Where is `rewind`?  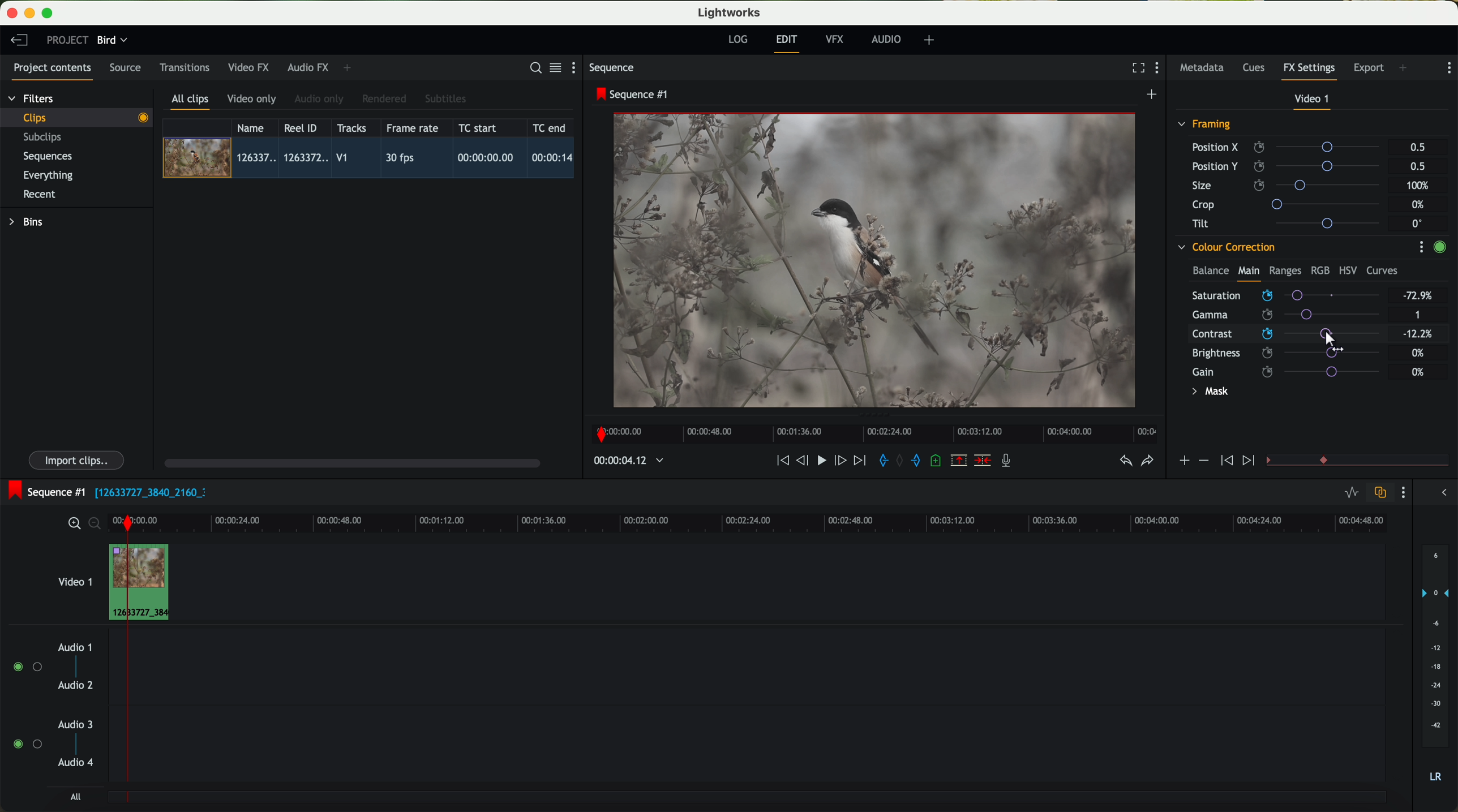 rewind is located at coordinates (782, 461).